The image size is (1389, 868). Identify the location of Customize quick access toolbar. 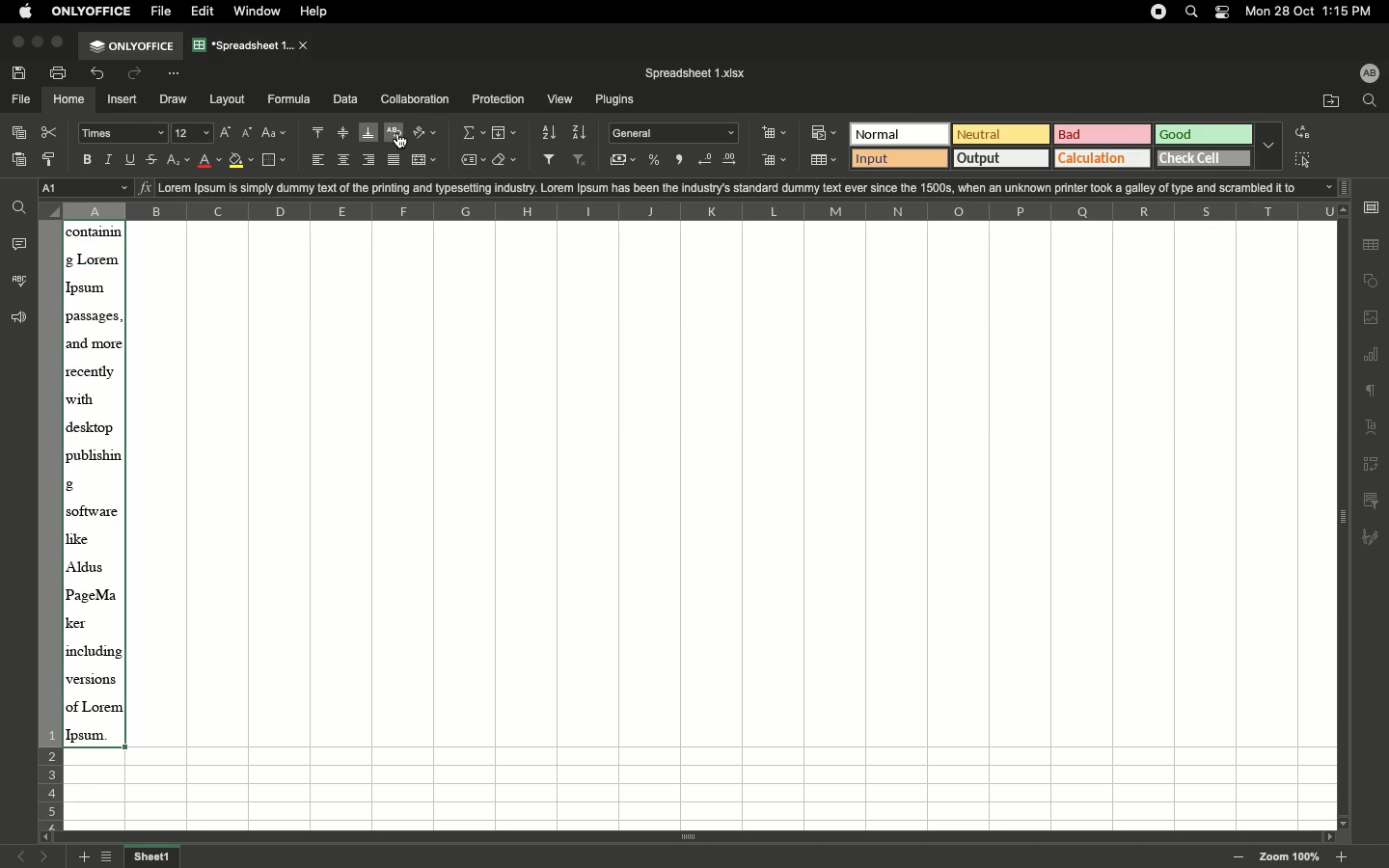
(180, 72).